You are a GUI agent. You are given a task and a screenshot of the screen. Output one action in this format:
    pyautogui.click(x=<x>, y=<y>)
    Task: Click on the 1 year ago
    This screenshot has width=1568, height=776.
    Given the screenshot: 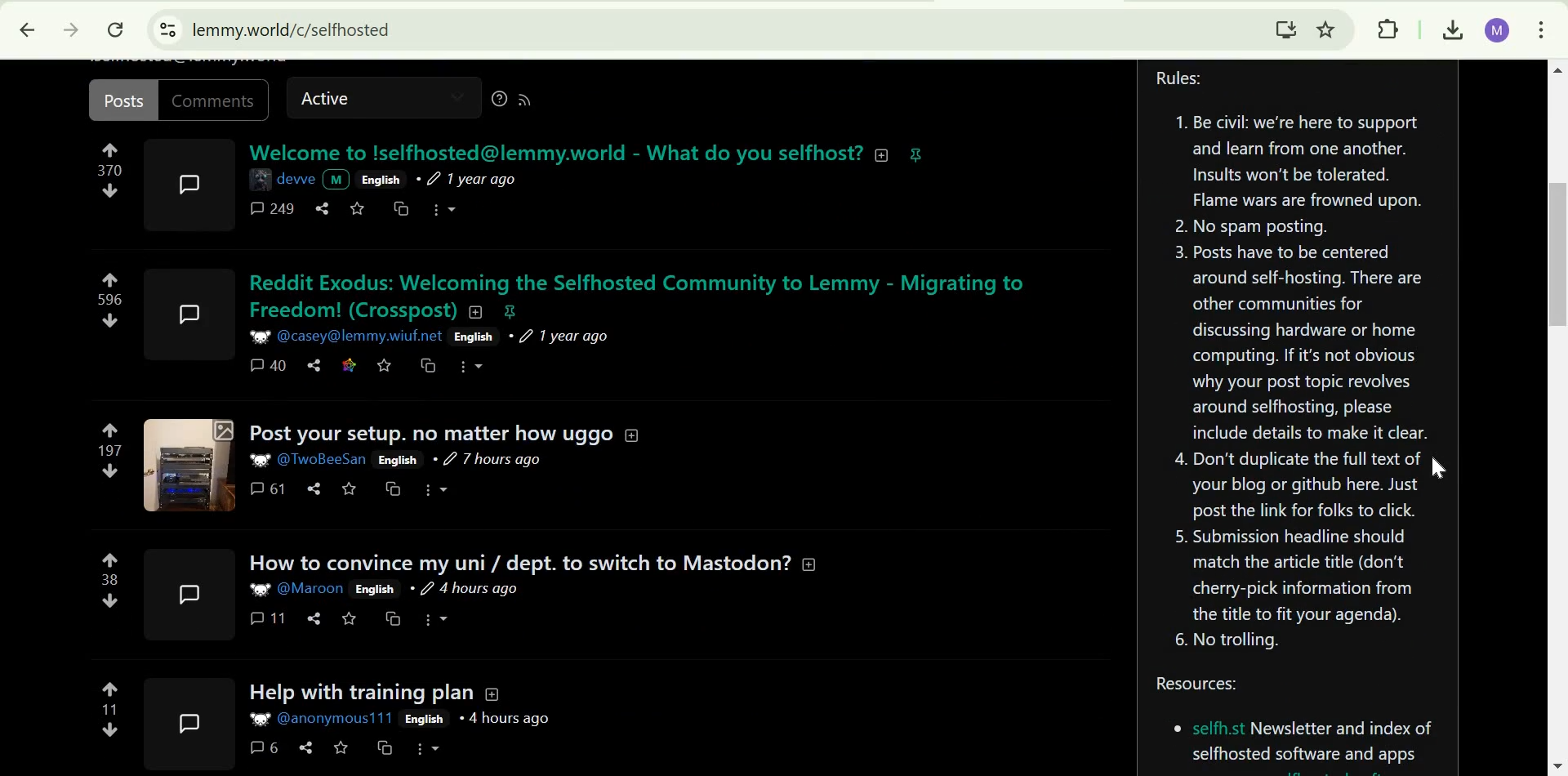 What is the action you would take?
    pyautogui.click(x=477, y=179)
    